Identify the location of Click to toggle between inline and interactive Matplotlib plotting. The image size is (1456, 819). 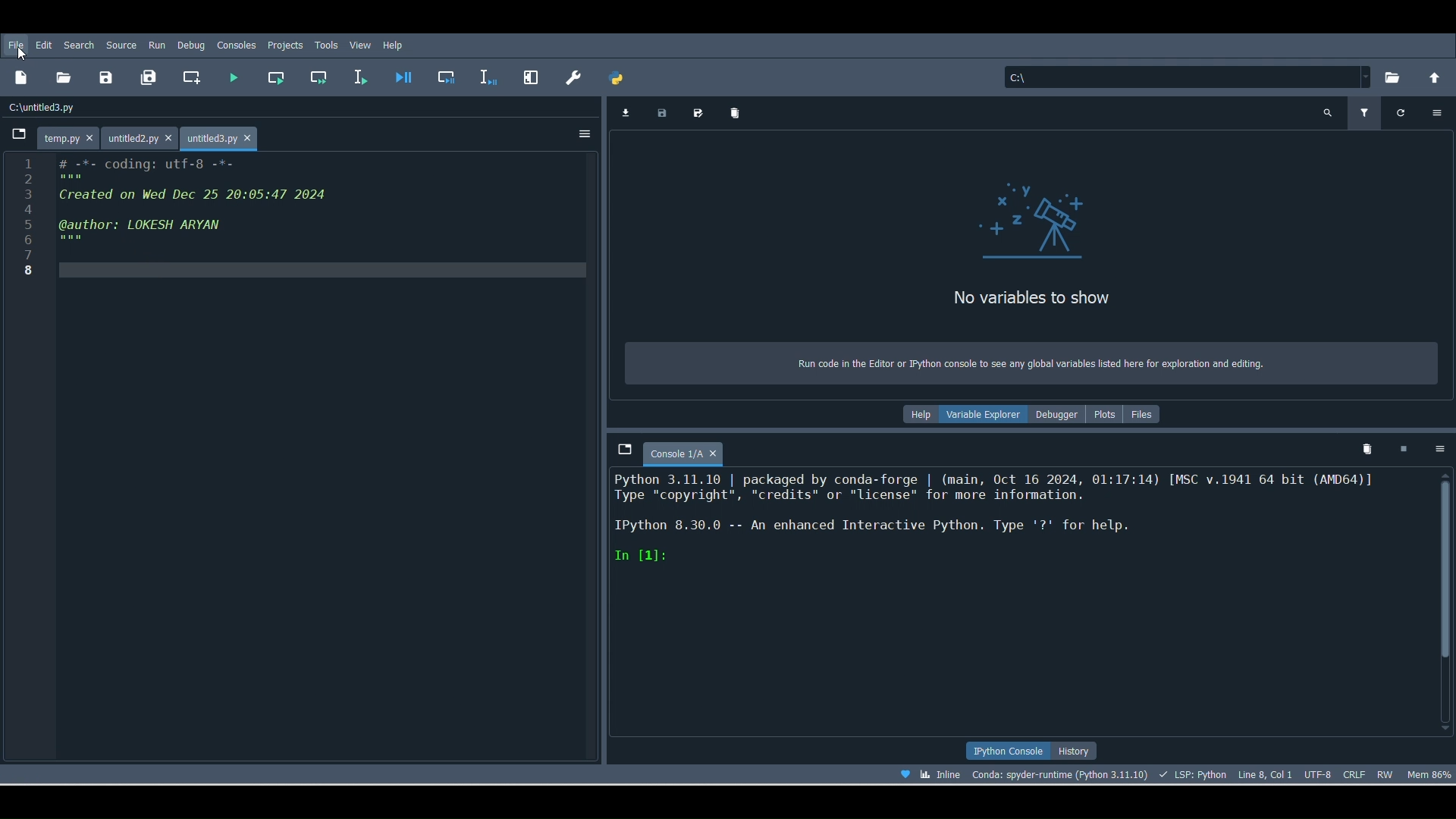
(942, 774).